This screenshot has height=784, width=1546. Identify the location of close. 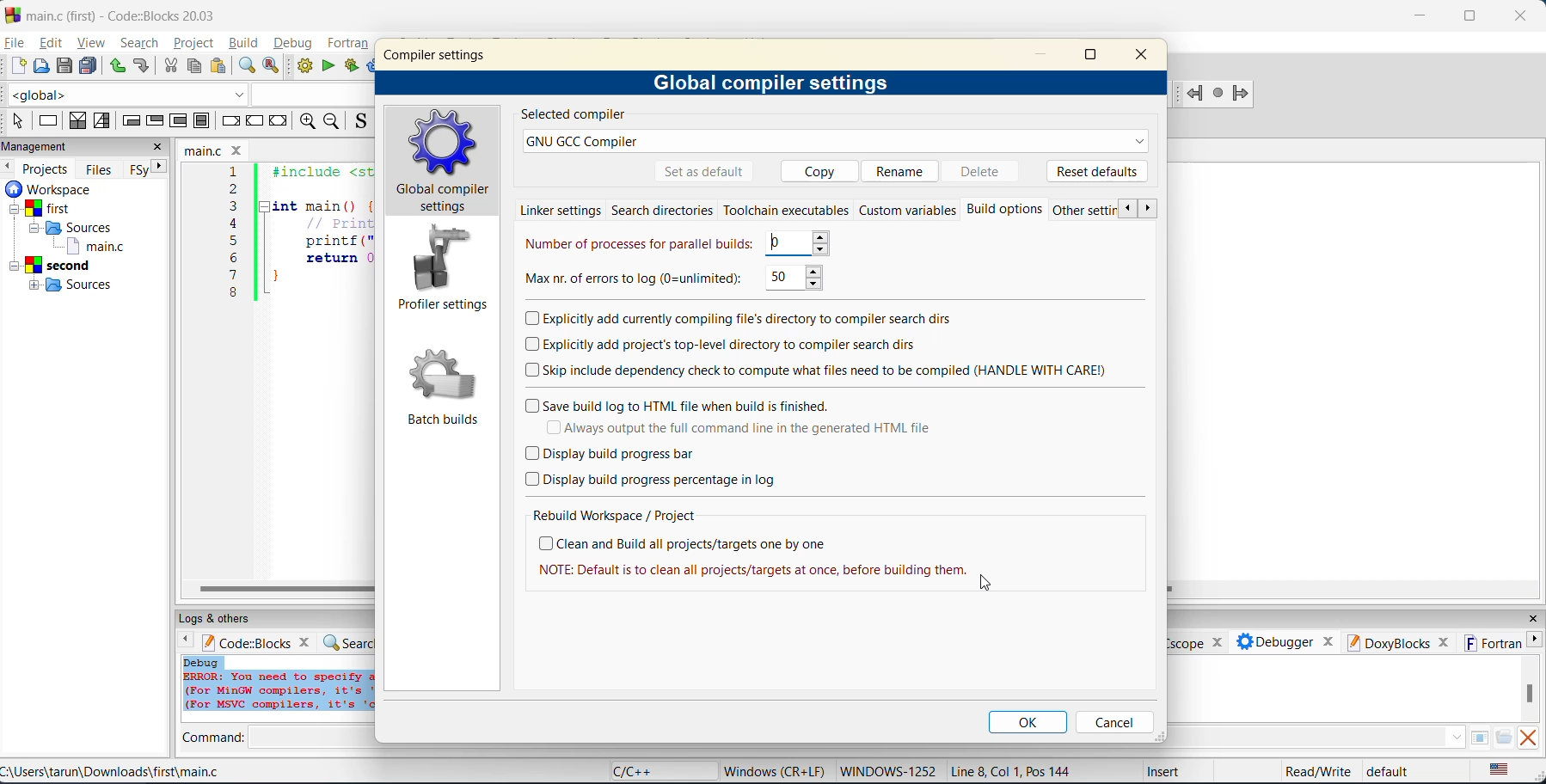
(1146, 56).